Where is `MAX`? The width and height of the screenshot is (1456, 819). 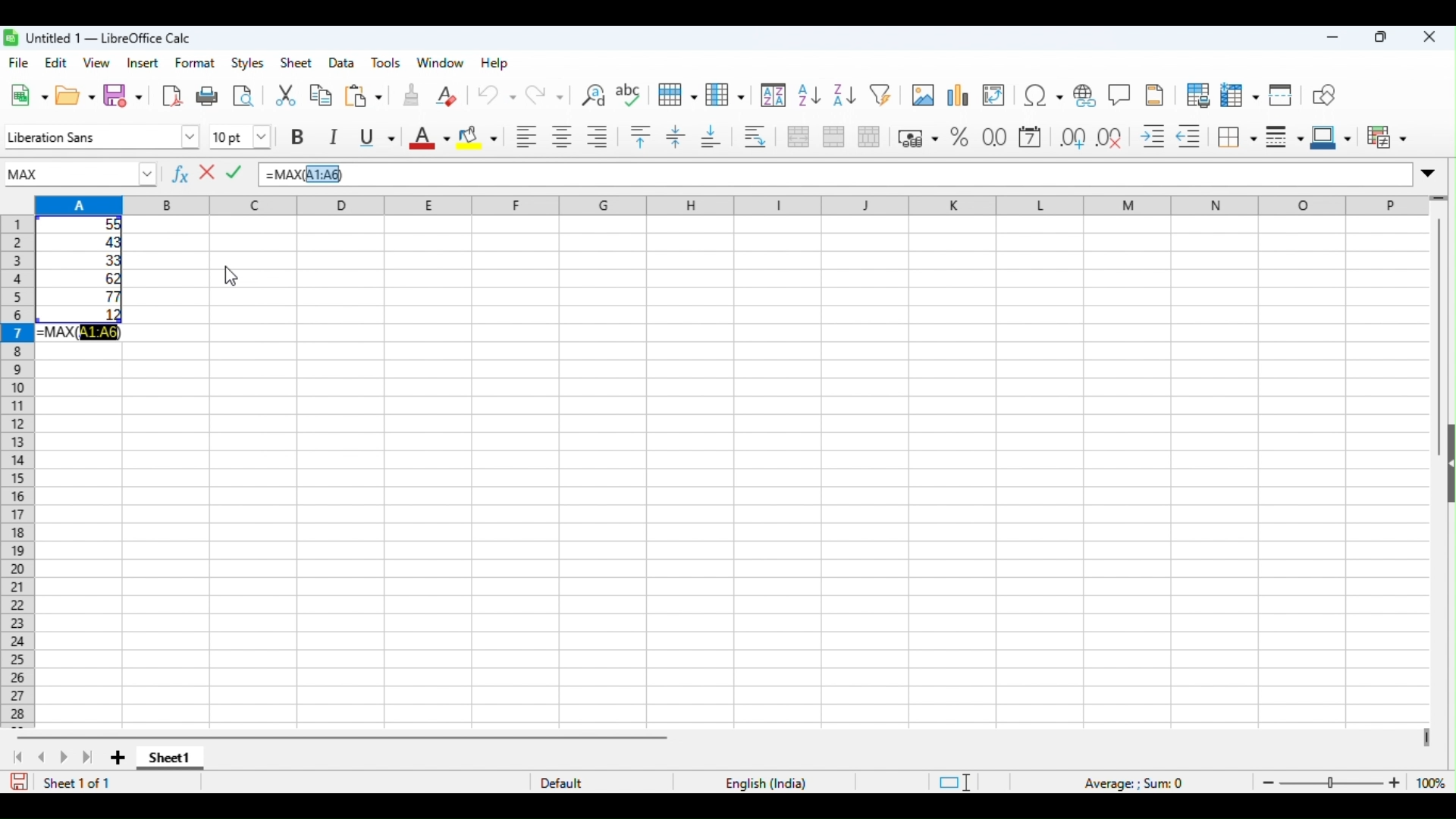 MAX is located at coordinates (67, 173).